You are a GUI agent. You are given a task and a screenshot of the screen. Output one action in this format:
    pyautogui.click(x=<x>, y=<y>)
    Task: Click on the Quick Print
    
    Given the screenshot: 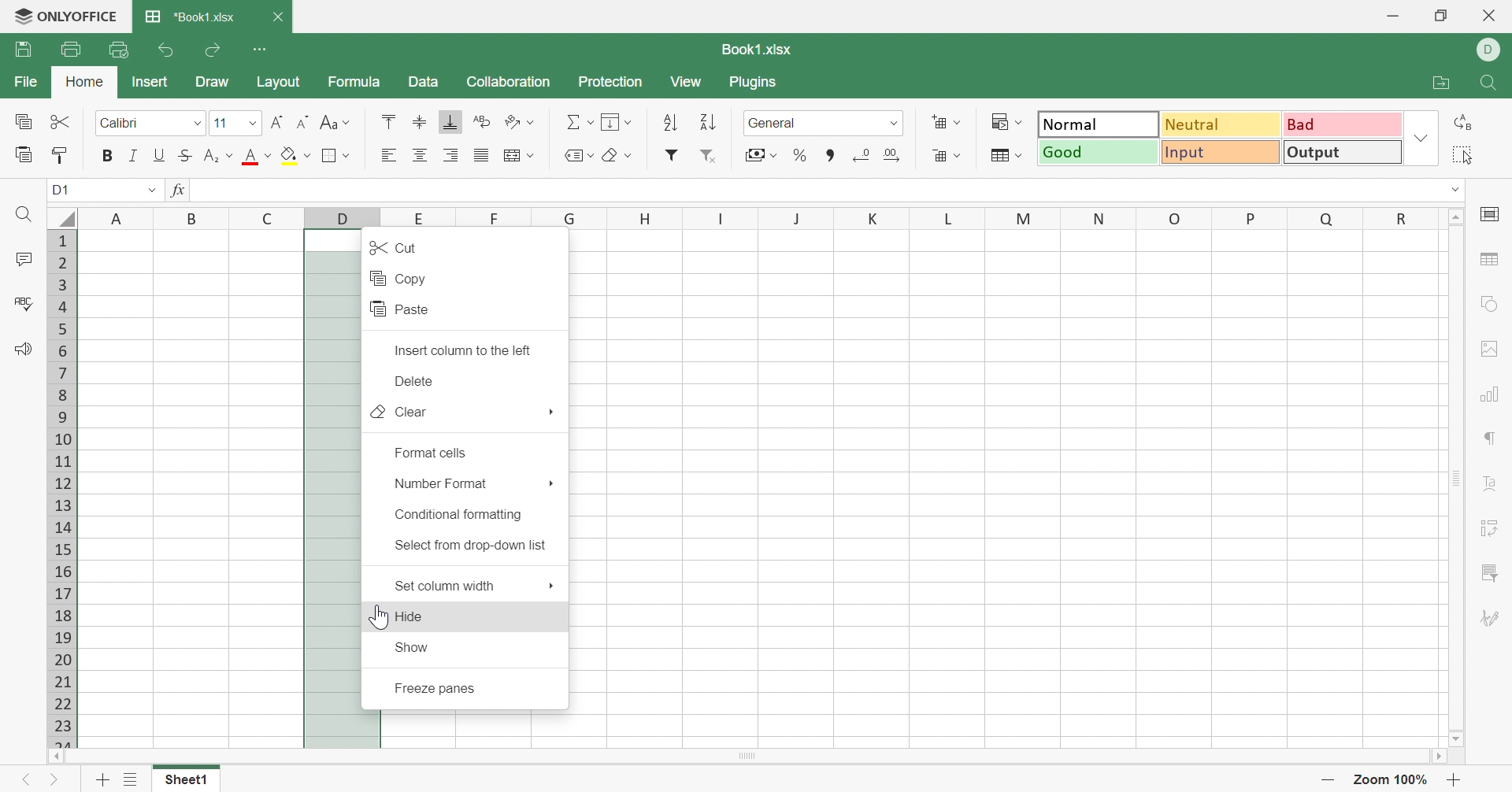 What is the action you would take?
    pyautogui.click(x=116, y=50)
    